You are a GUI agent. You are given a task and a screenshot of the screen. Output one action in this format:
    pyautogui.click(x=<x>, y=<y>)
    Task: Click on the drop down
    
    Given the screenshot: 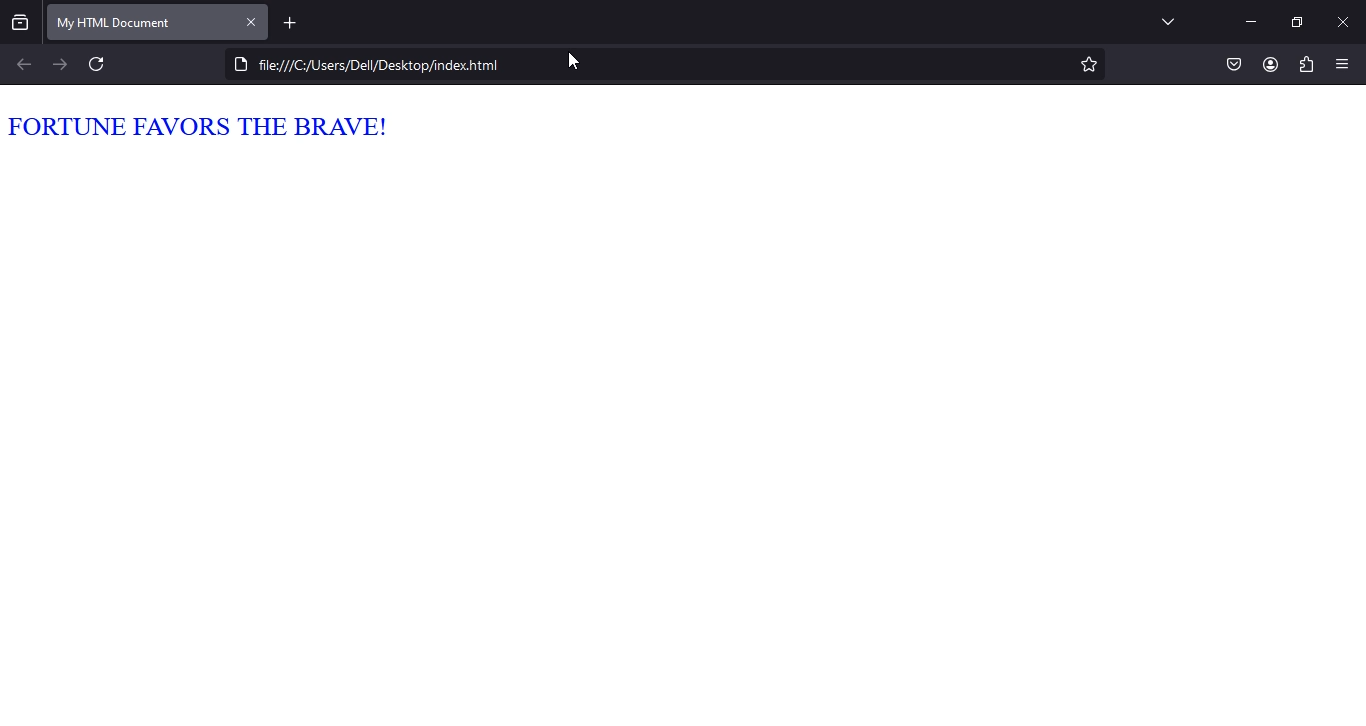 What is the action you would take?
    pyautogui.click(x=1169, y=20)
    